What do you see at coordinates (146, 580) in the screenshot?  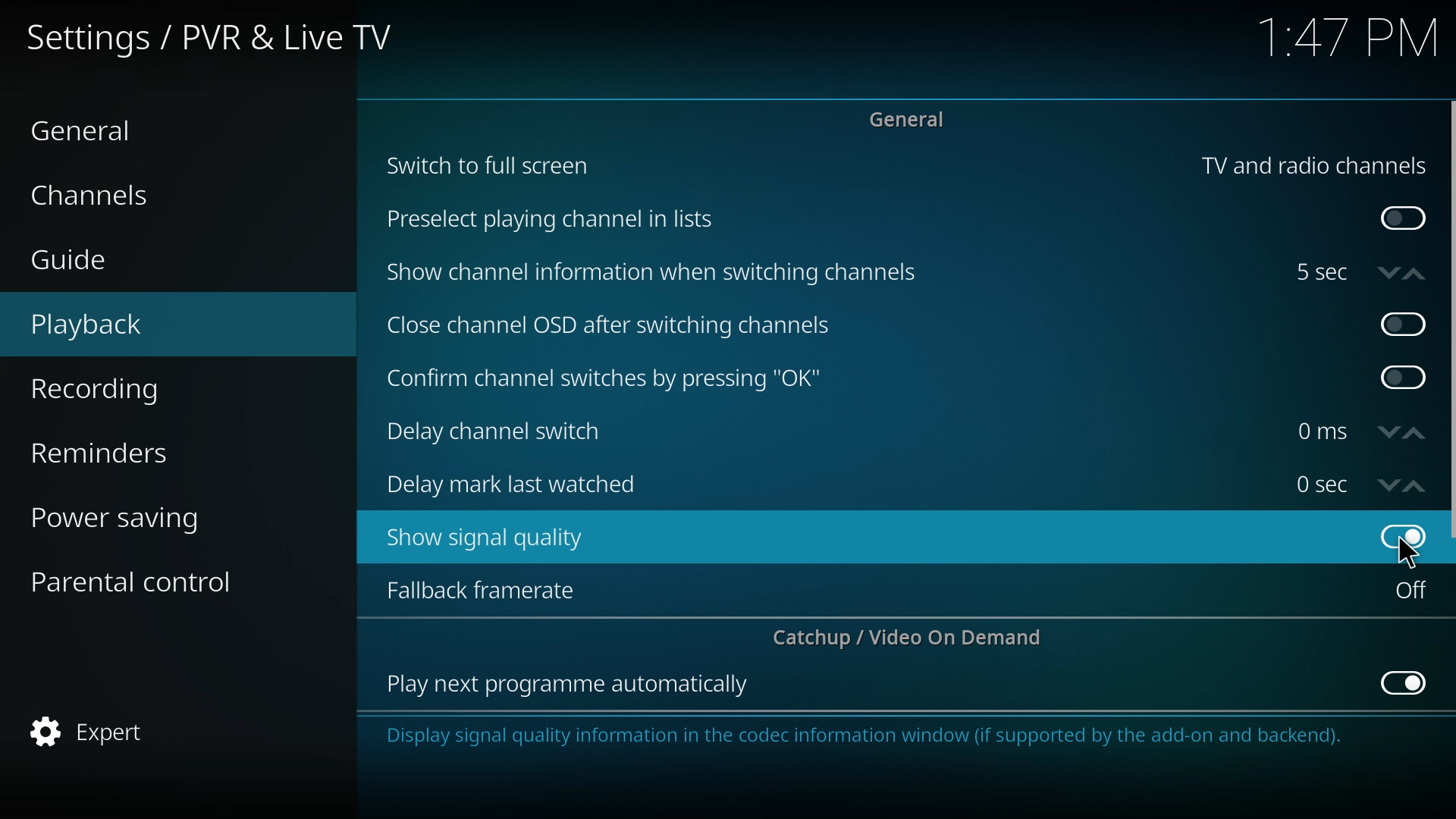 I see `parental control` at bounding box center [146, 580].